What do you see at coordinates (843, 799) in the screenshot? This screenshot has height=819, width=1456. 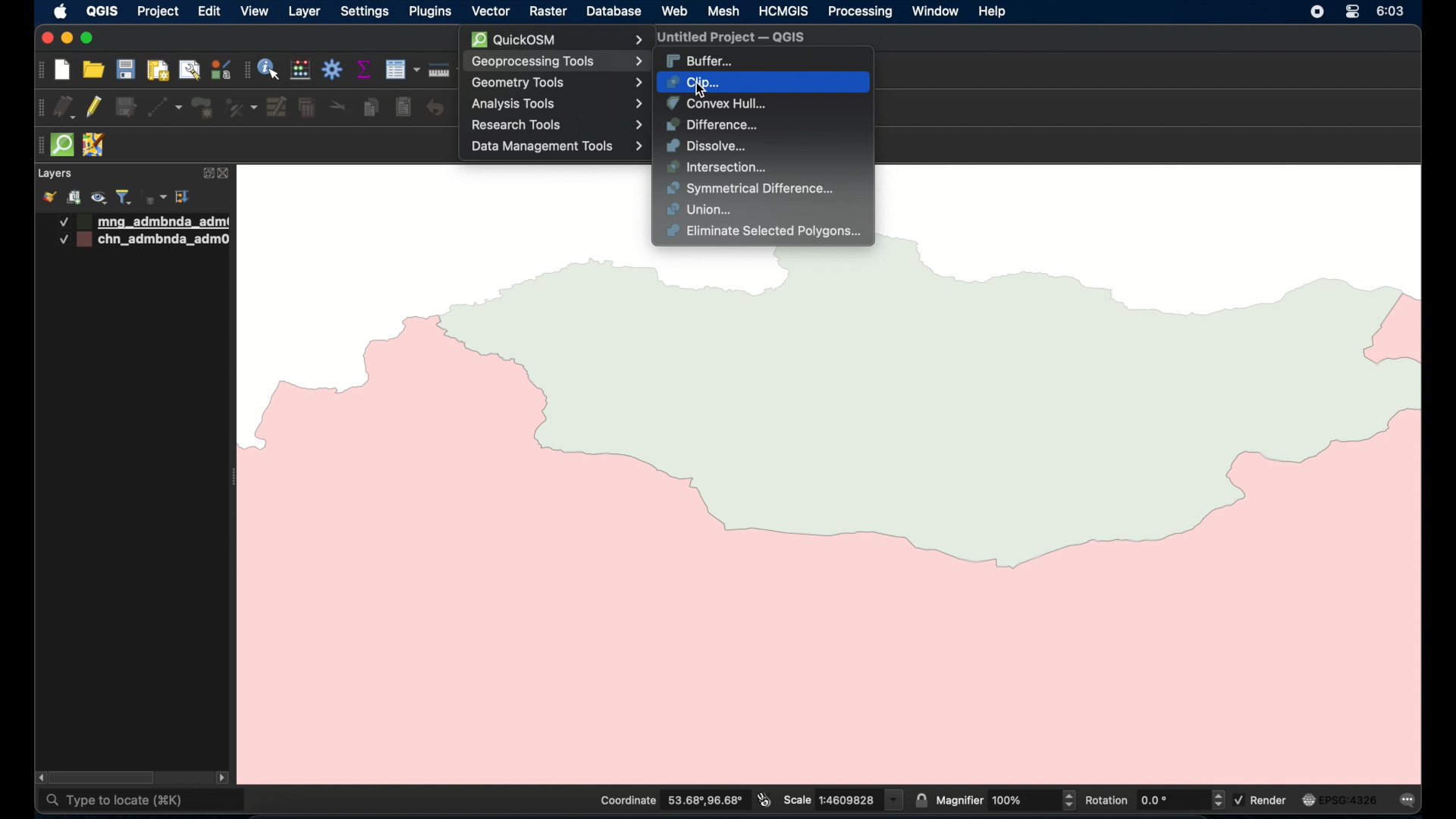 I see `scale` at bounding box center [843, 799].